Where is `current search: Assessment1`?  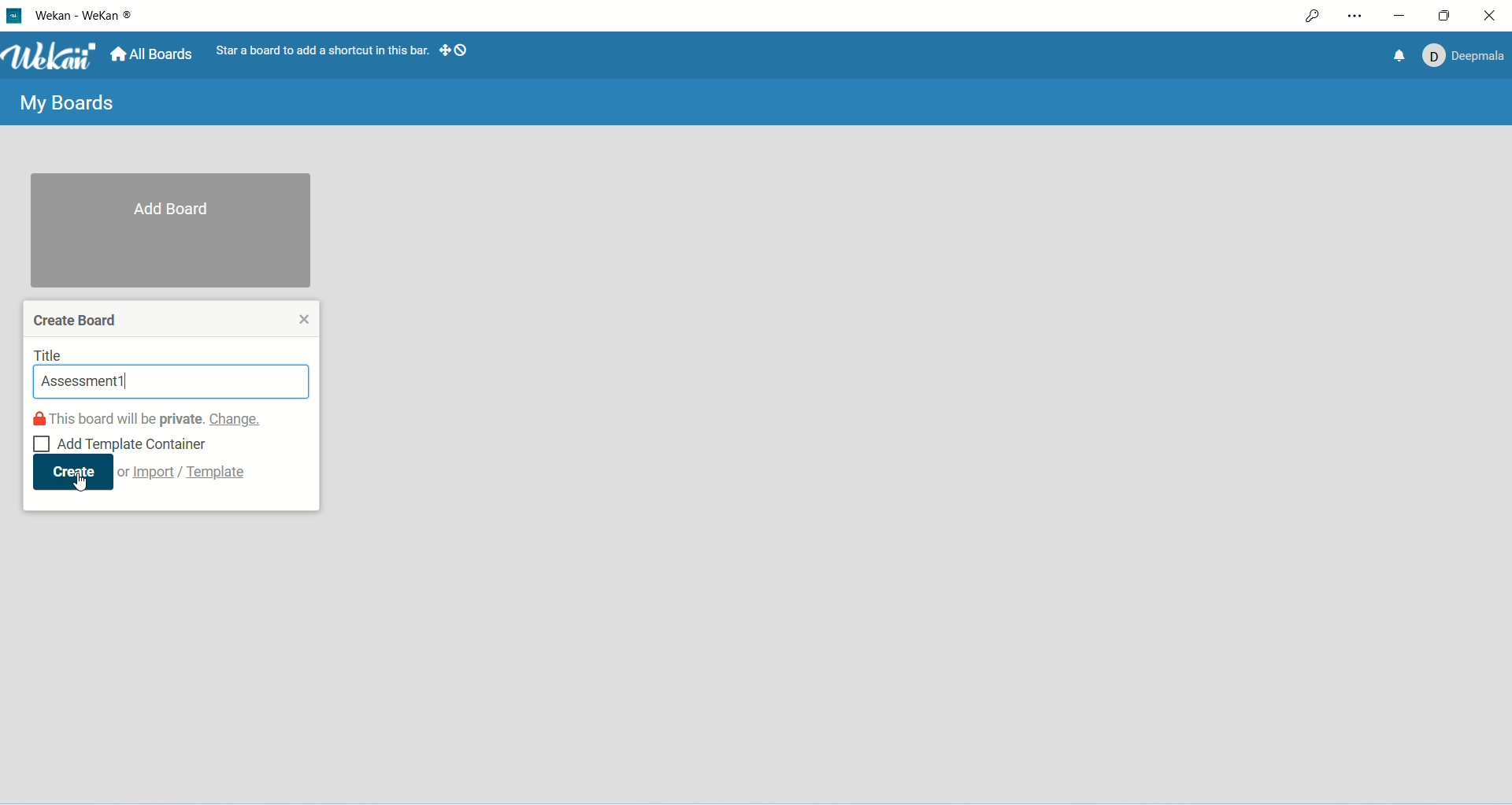 current search: Assessment1 is located at coordinates (172, 381).